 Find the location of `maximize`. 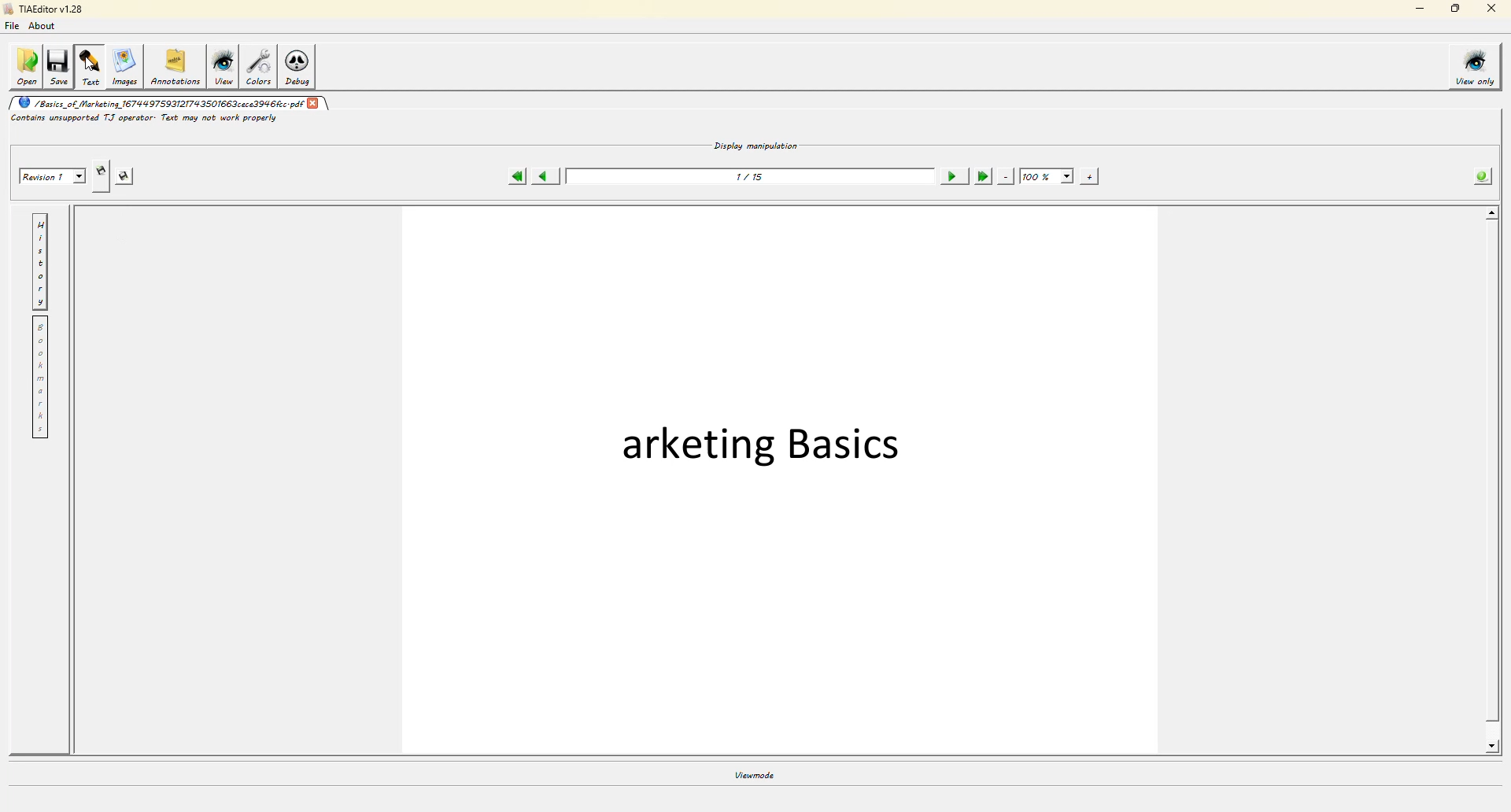

maximize is located at coordinates (1453, 10).